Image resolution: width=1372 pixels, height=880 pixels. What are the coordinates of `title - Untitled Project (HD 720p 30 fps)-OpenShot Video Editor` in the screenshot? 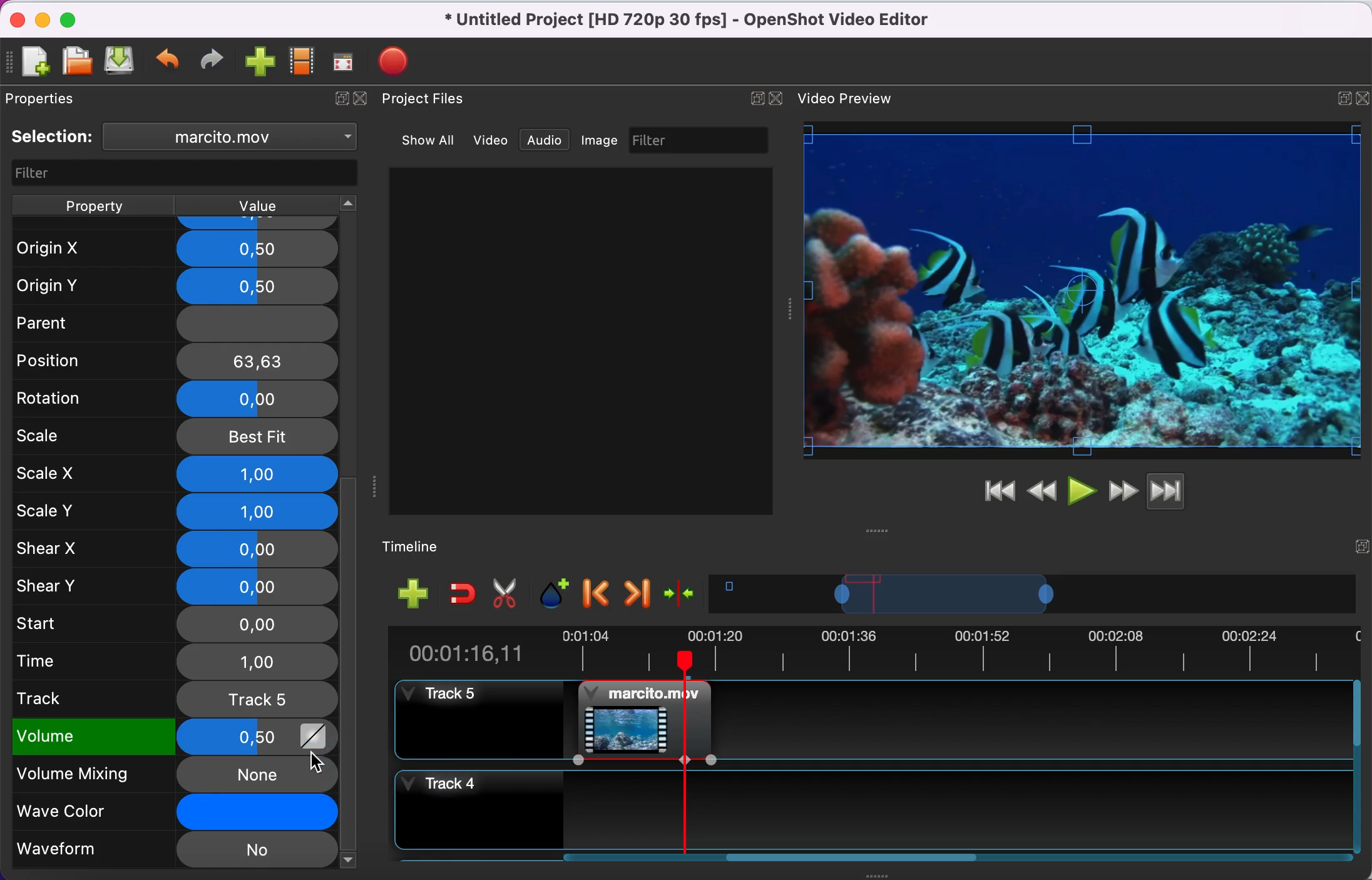 It's located at (707, 22).